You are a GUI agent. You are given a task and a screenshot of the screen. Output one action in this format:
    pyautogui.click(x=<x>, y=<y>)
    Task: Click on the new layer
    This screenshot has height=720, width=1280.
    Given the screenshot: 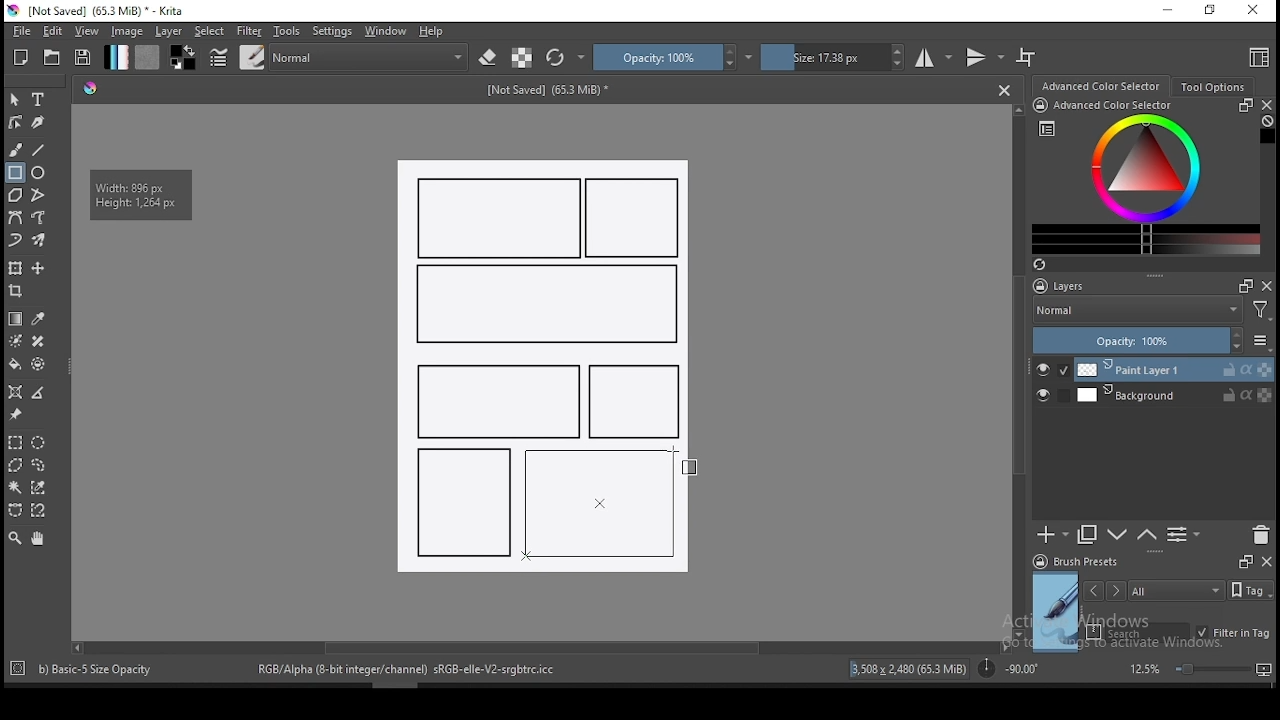 What is the action you would take?
    pyautogui.click(x=1053, y=534)
    